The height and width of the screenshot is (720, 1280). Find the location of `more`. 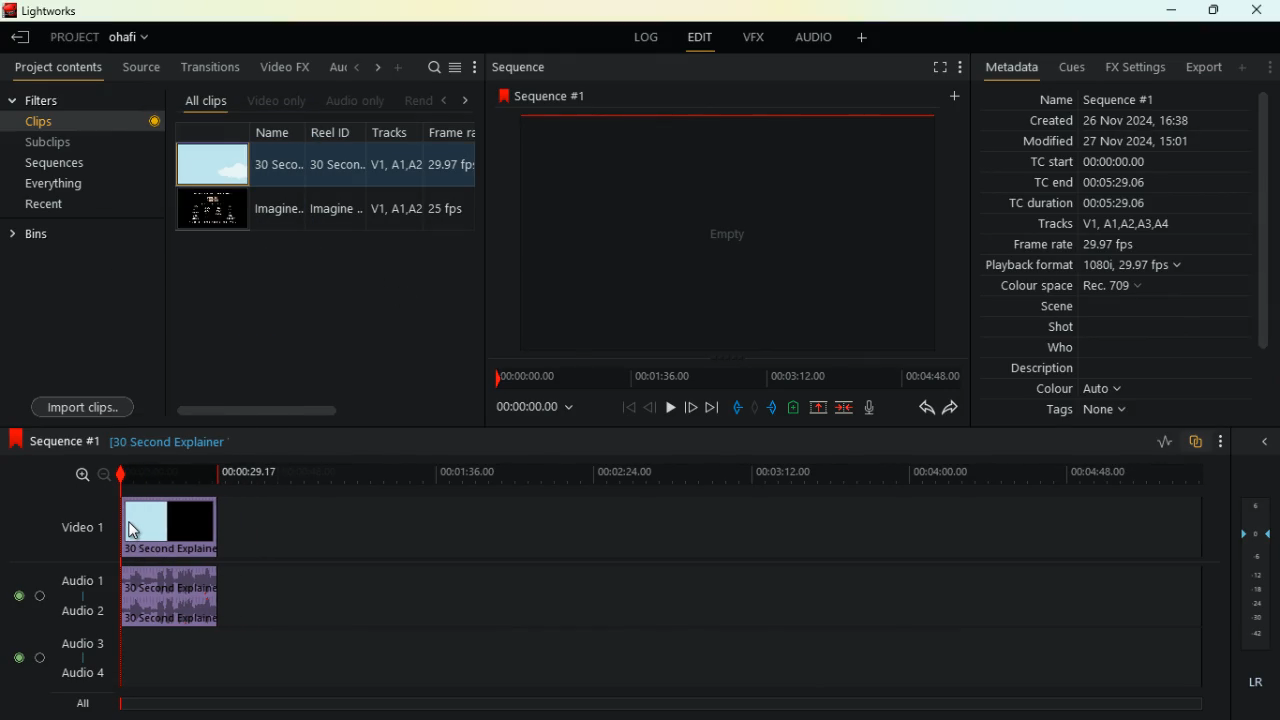

more is located at coordinates (962, 65).